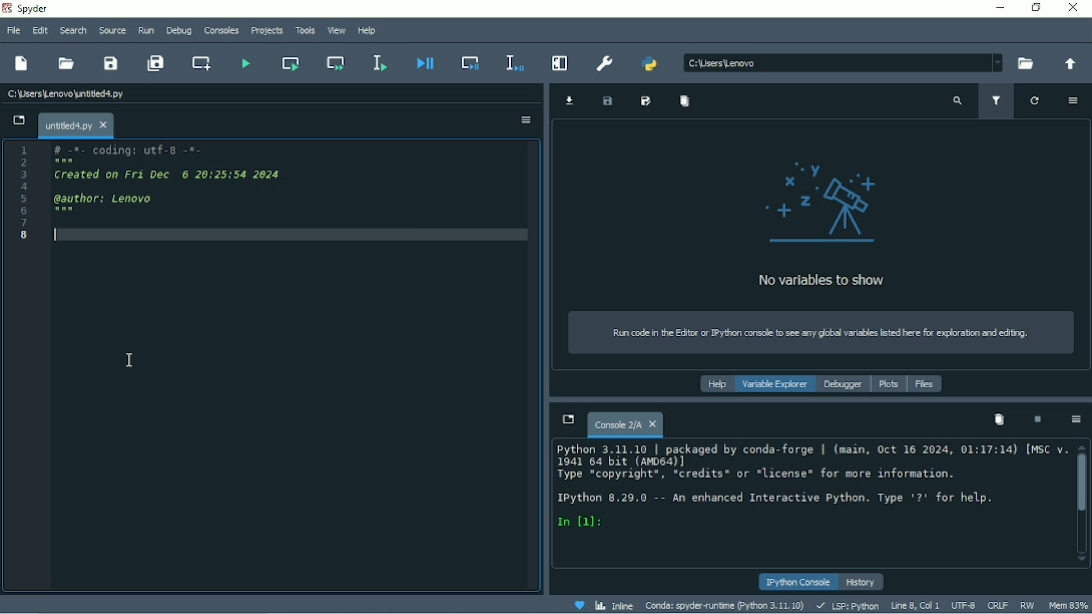 Image resolution: width=1092 pixels, height=614 pixels. What do you see at coordinates (155, 63) in the screenshot?
I see `Save all files` at bounding box center [155, 63].